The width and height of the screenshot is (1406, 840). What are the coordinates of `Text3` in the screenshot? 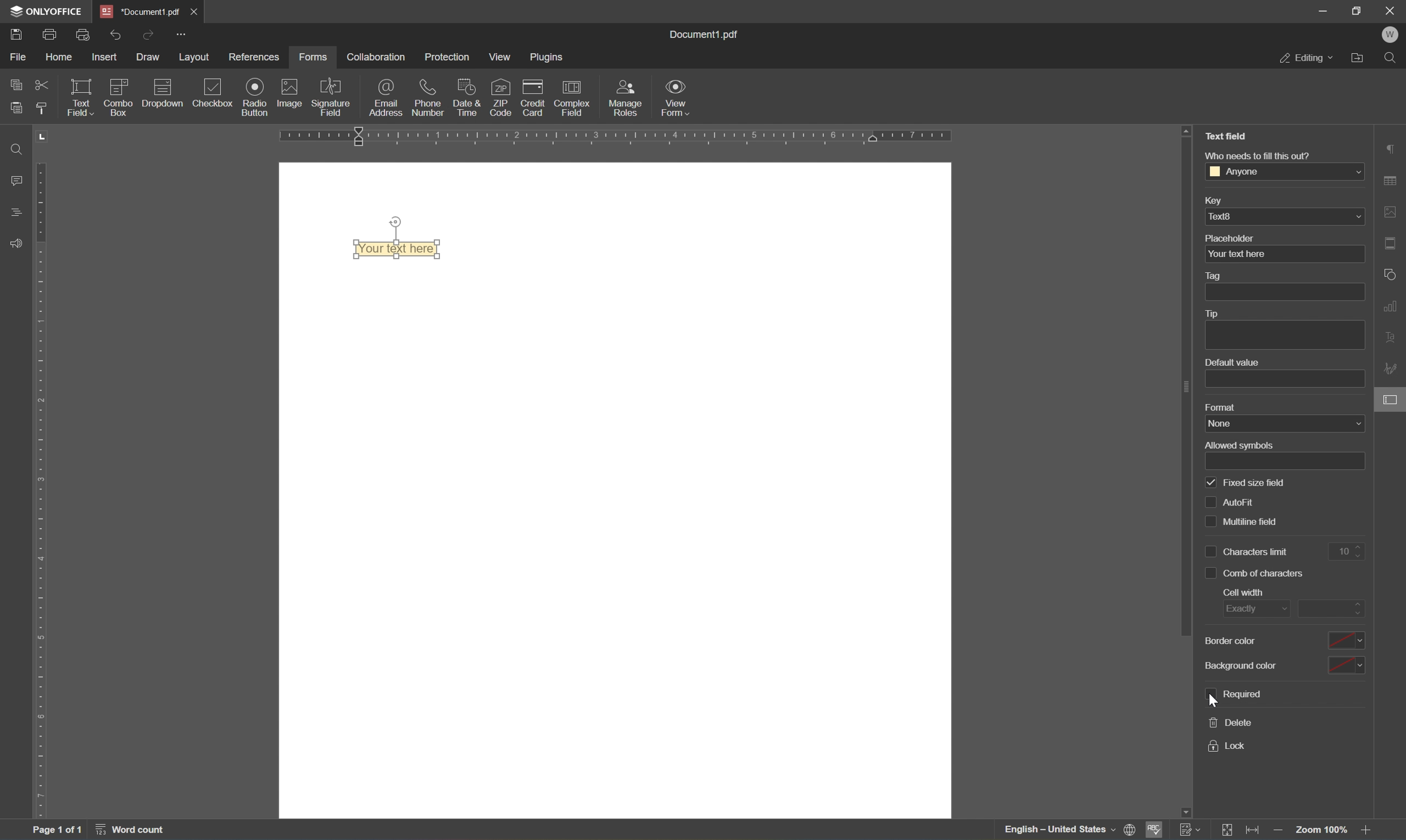 It's located at (1285, 216).